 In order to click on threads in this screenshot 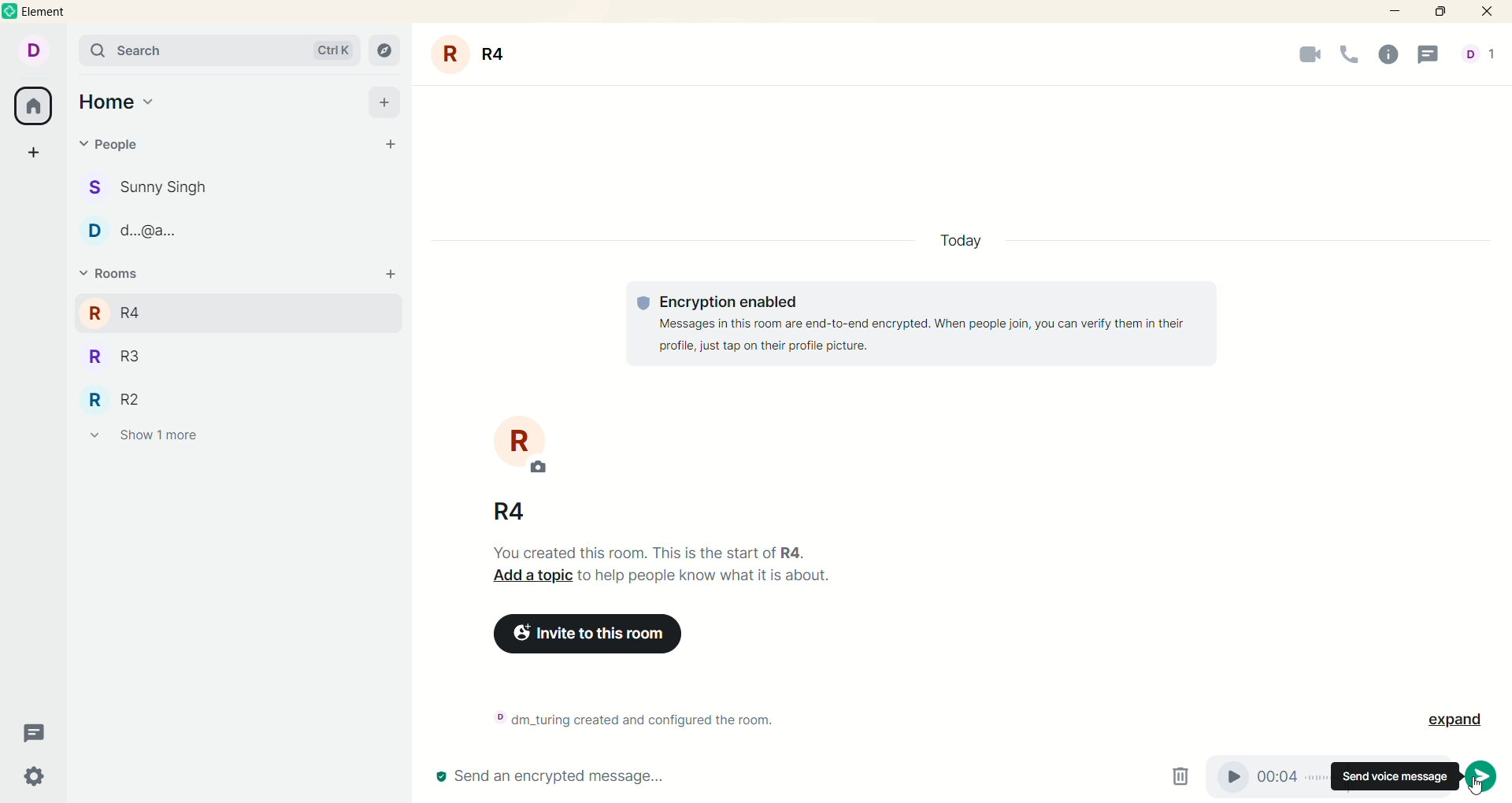, I will do `click(1434, 55)`.